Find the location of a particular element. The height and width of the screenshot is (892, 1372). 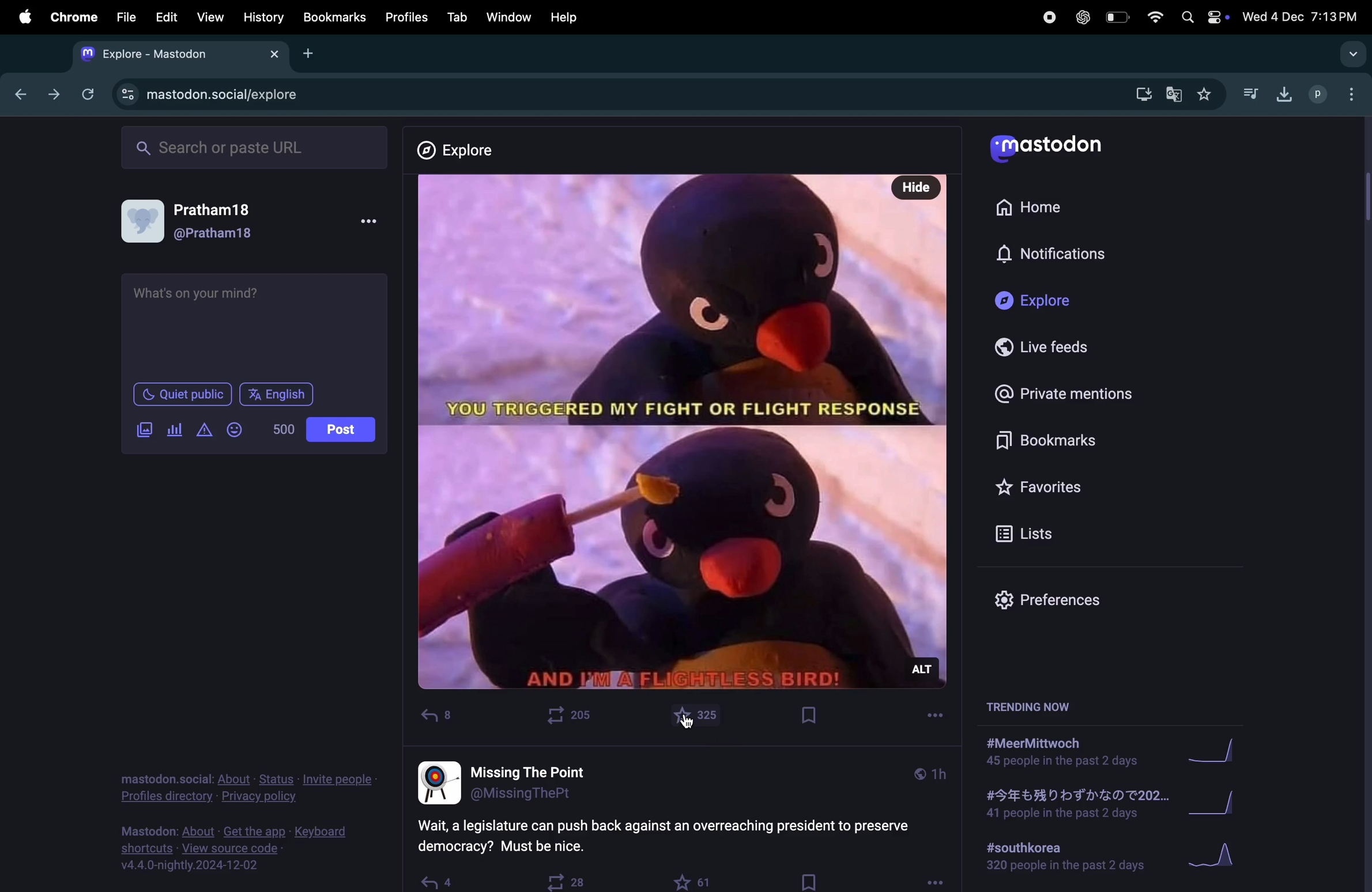

poll is located at coordinates (175, 429).